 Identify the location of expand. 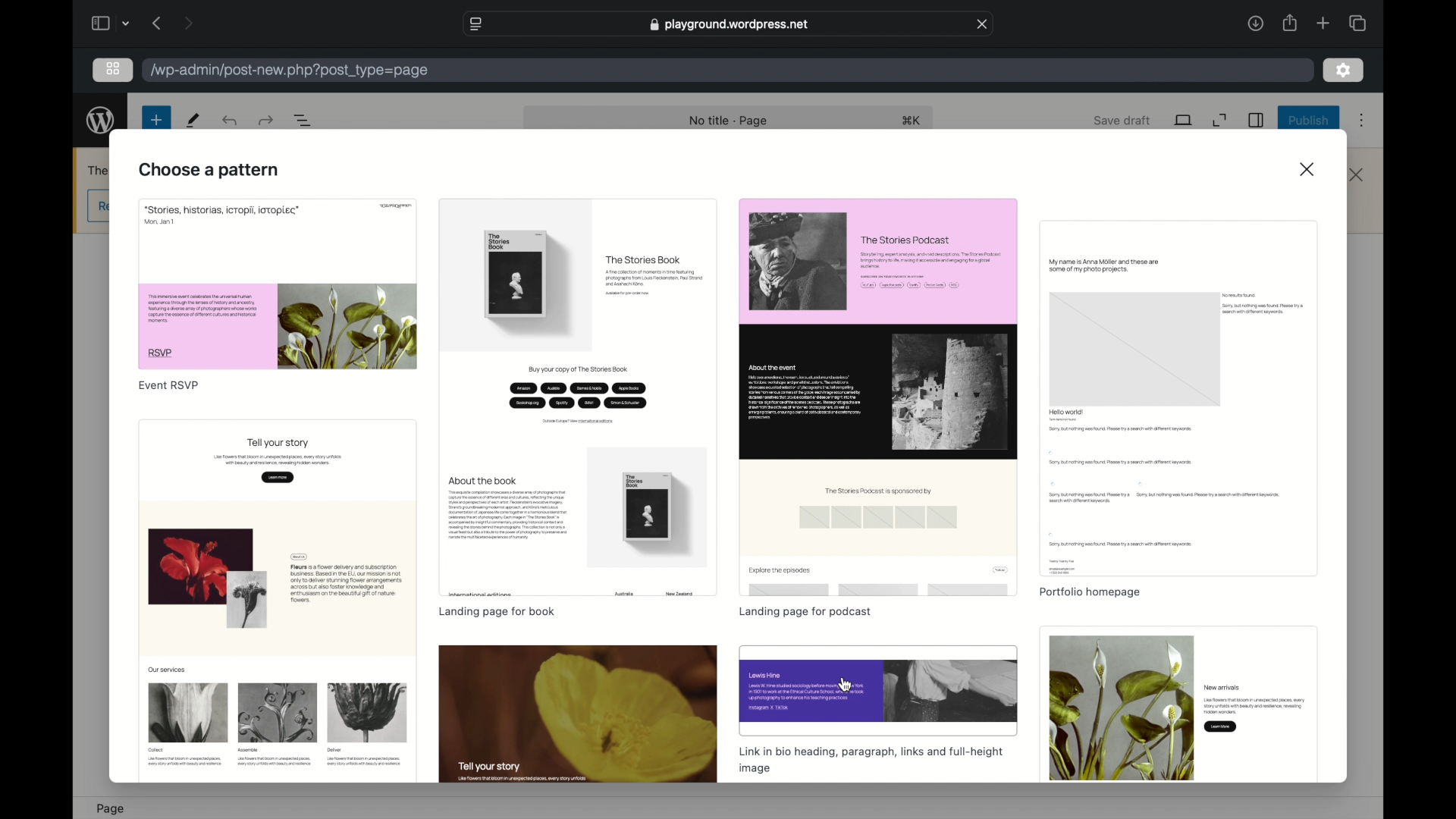
(1221, 121).